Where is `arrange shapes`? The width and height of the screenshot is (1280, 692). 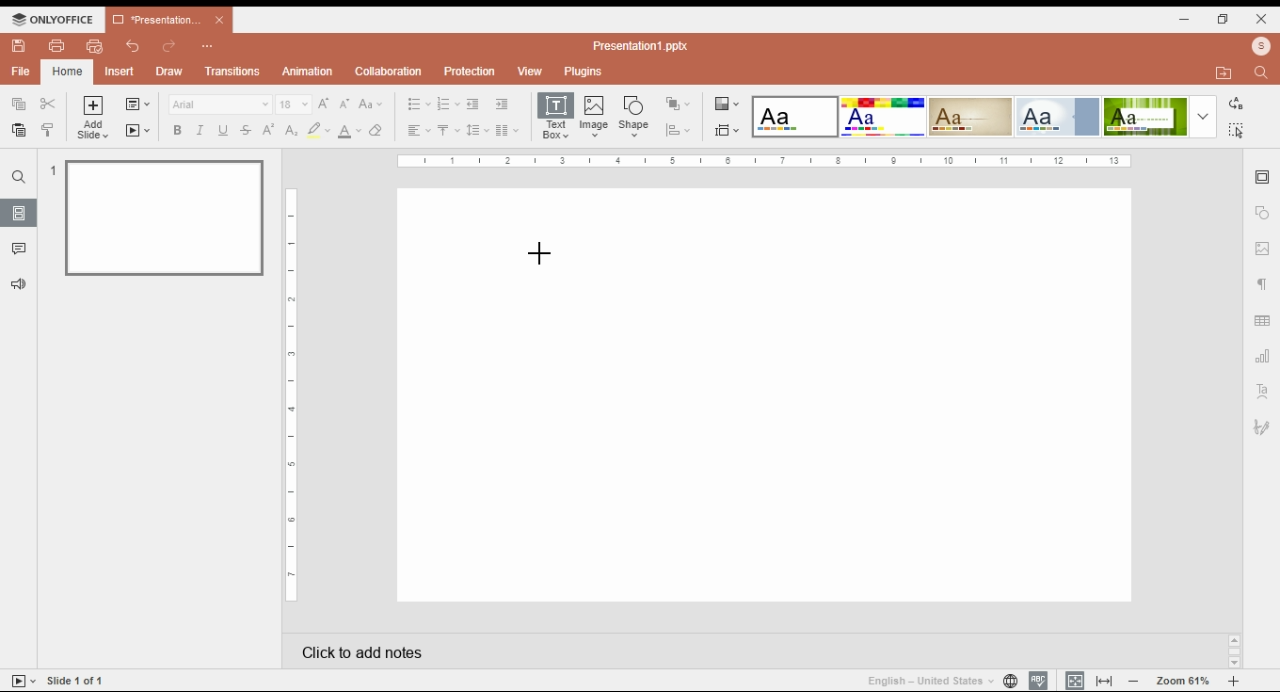
arrange shapes is located at coordinates (679, 103).